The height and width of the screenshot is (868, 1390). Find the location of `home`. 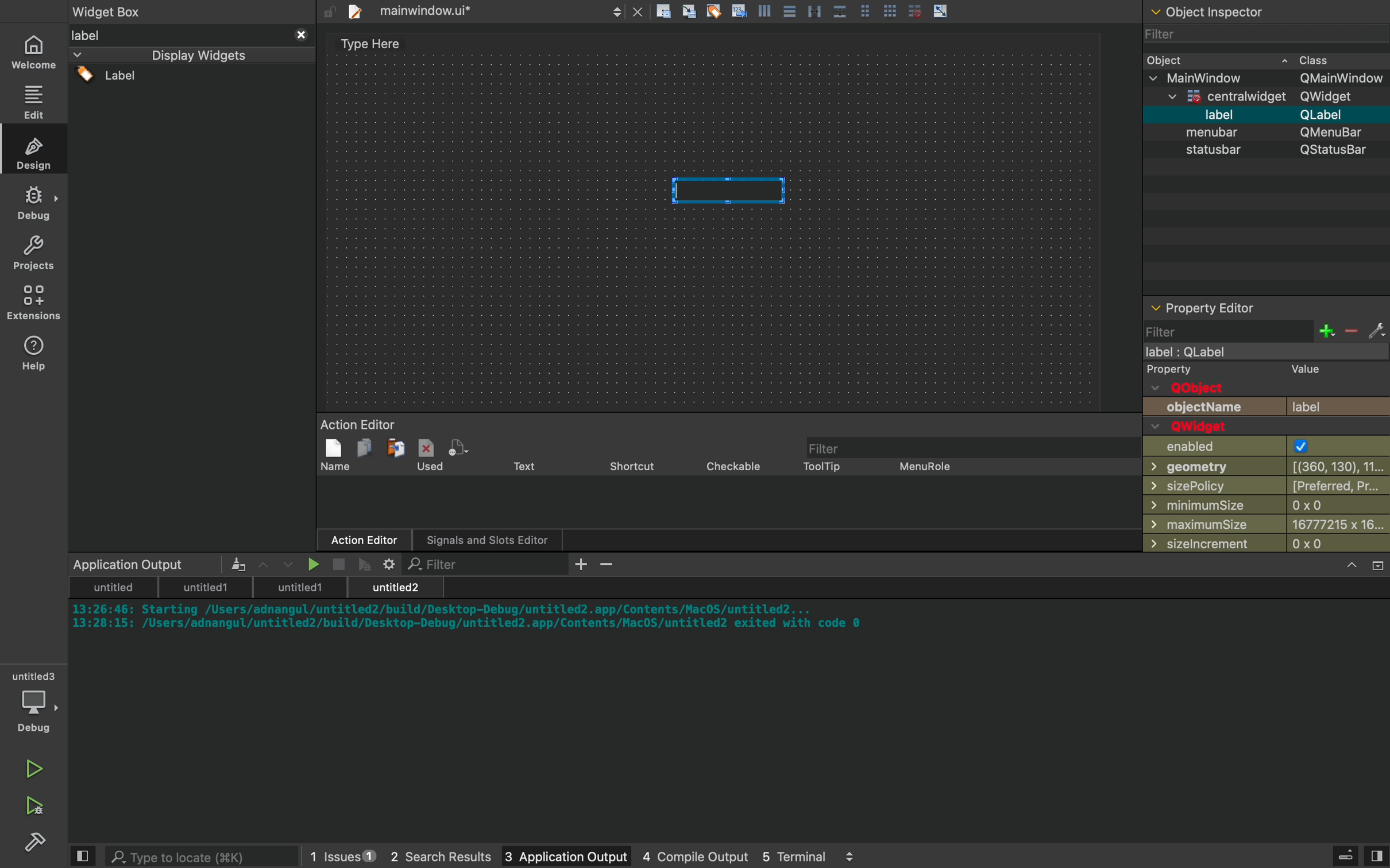

home is located at coordinates (36, 52).